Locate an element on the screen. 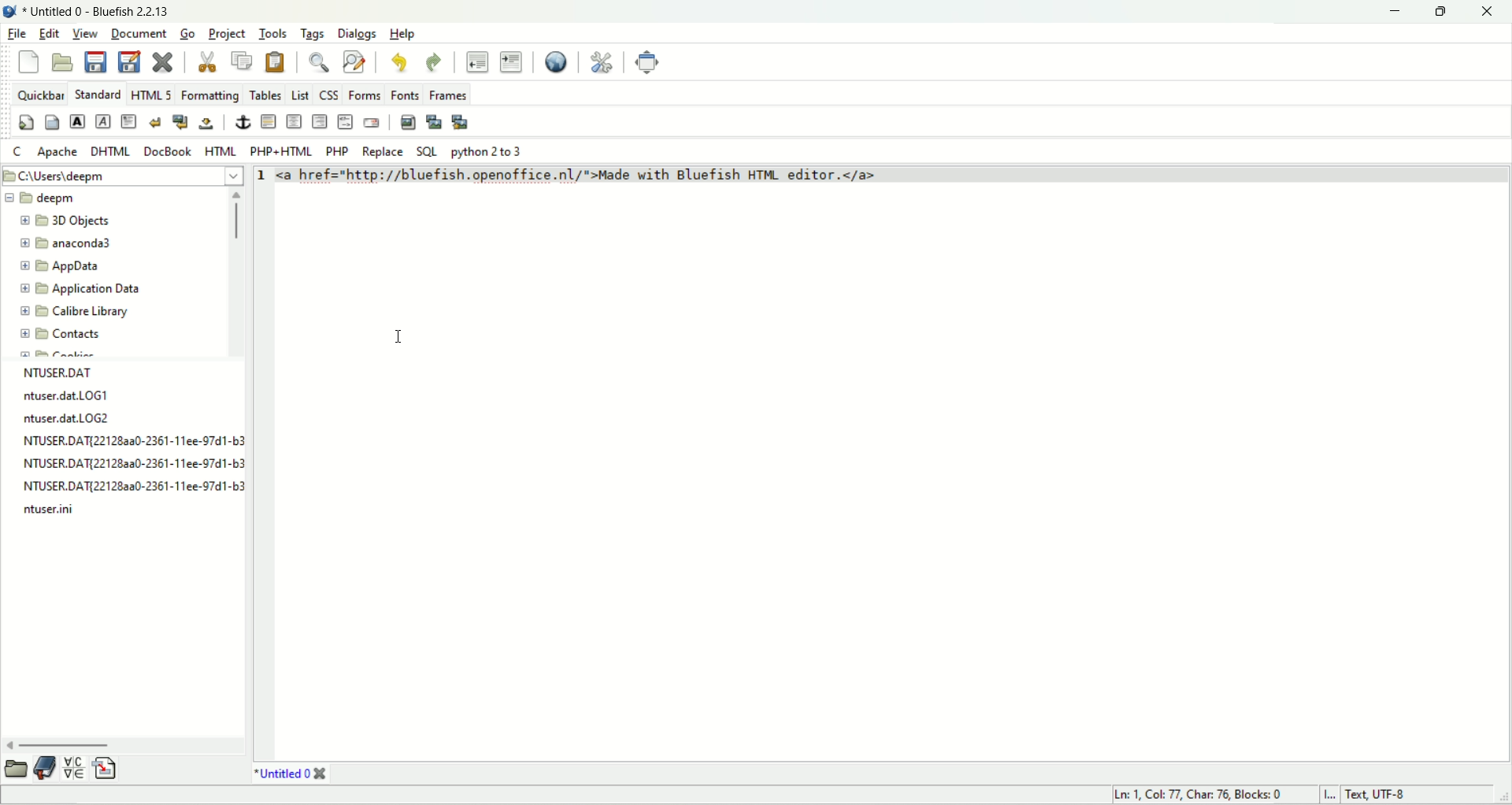 This screenshot has height=805, width=1512. logo is located at coordinates (10, 12).